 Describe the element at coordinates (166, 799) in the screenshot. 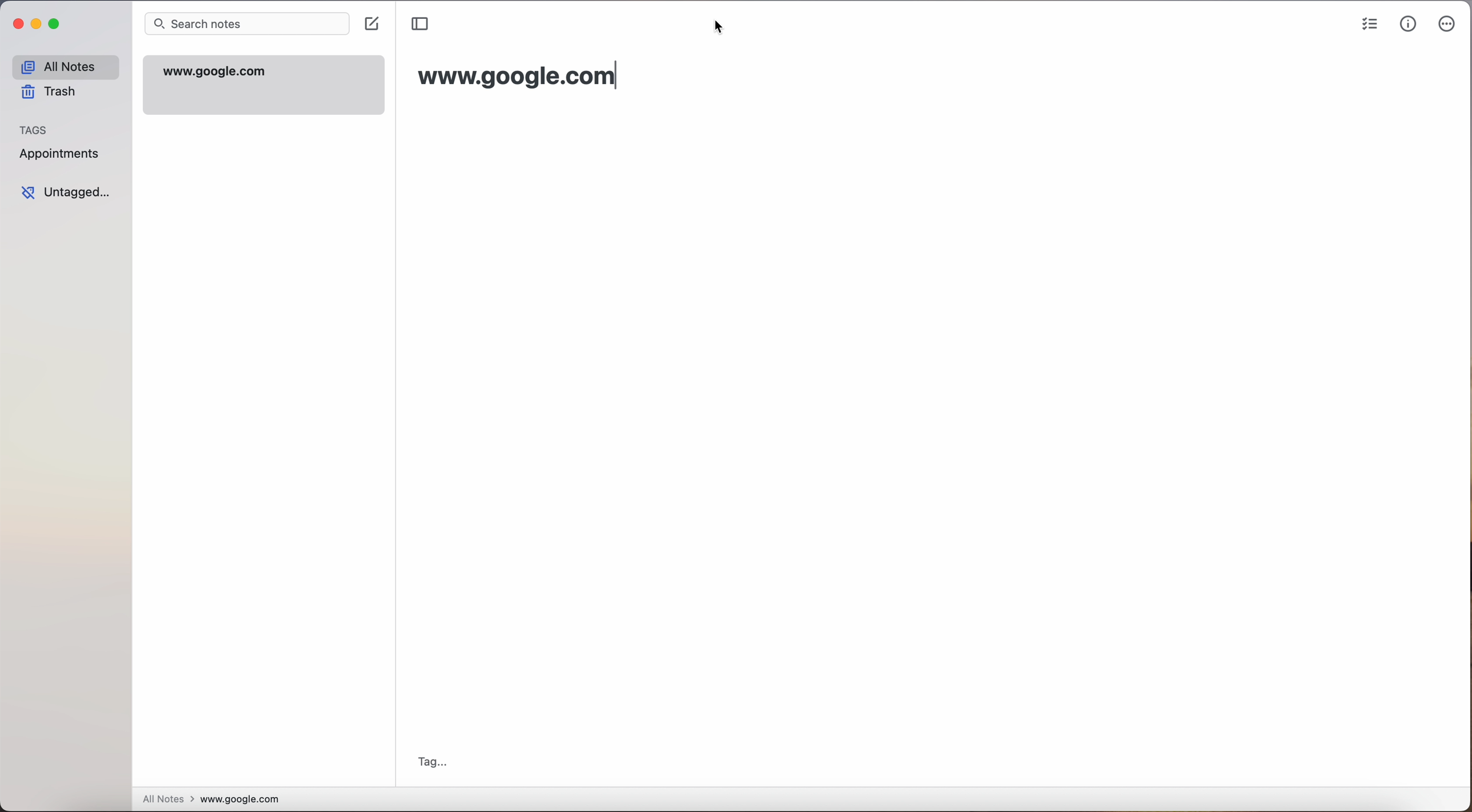

I see `all notes` at that location.